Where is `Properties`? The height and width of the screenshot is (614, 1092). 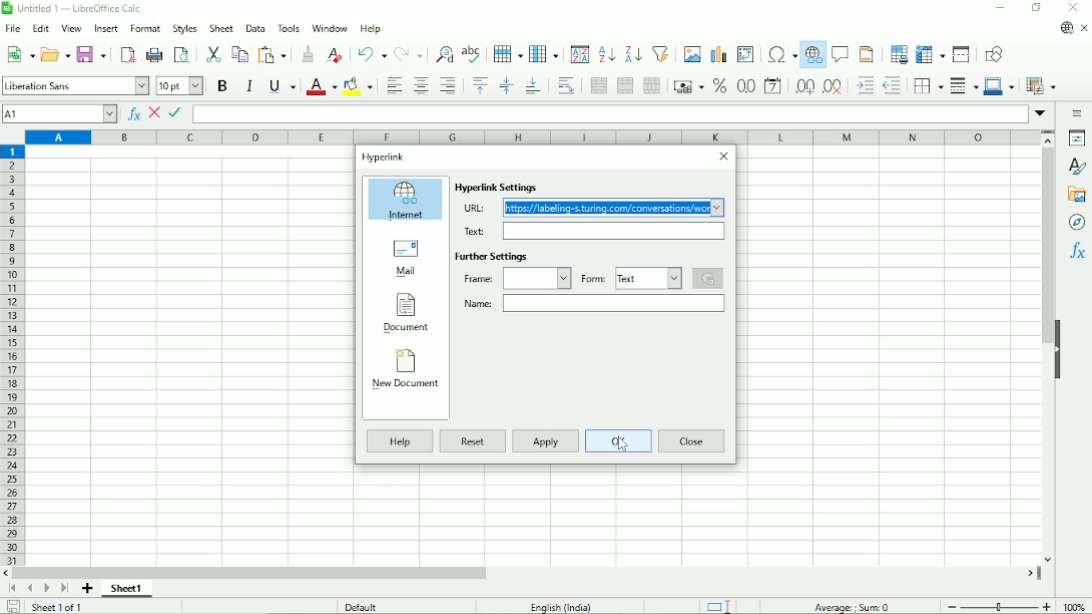
Properties is located at coordinates (1077, 138).